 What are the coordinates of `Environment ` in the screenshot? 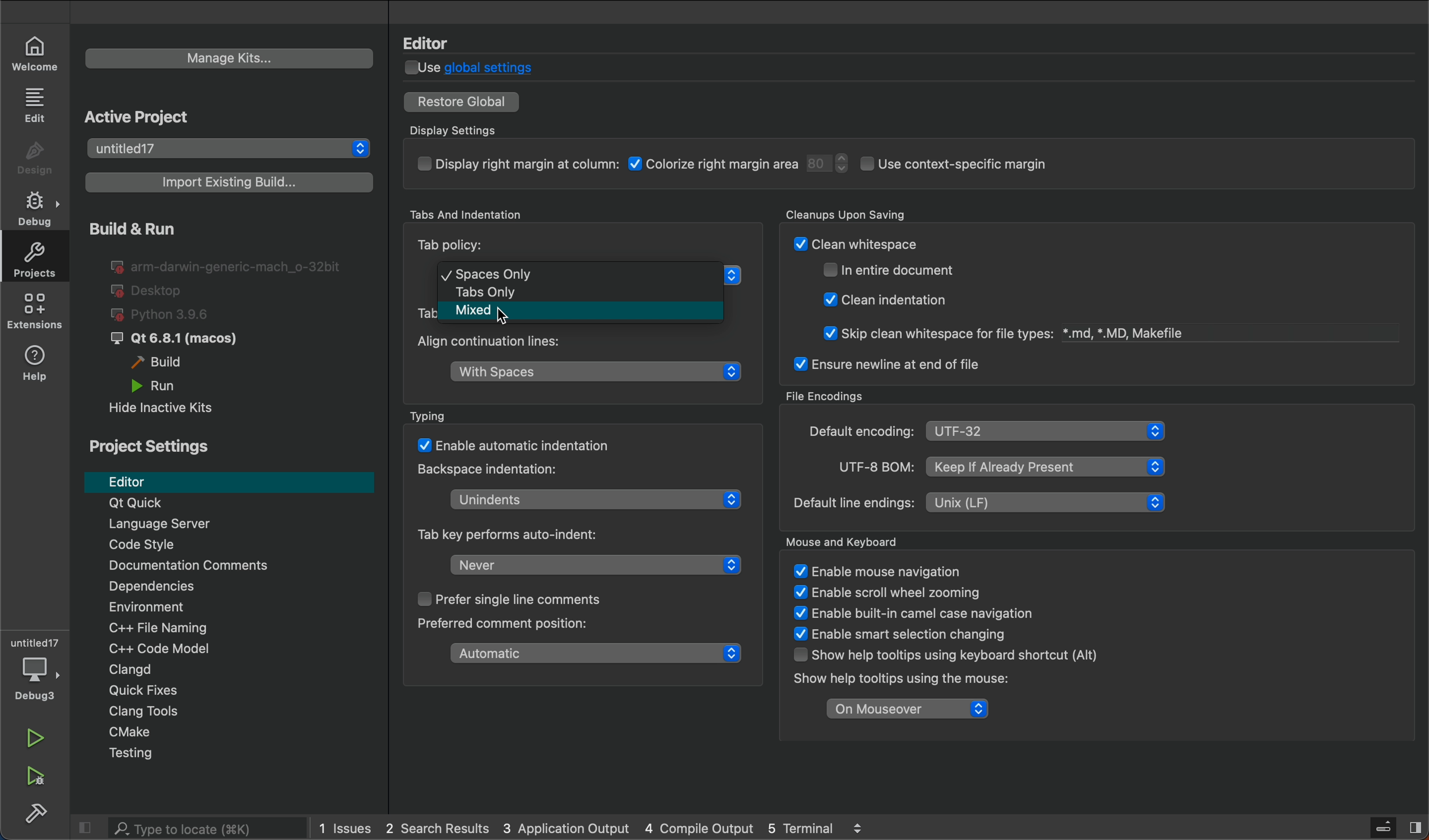 It's located at (237, 609).